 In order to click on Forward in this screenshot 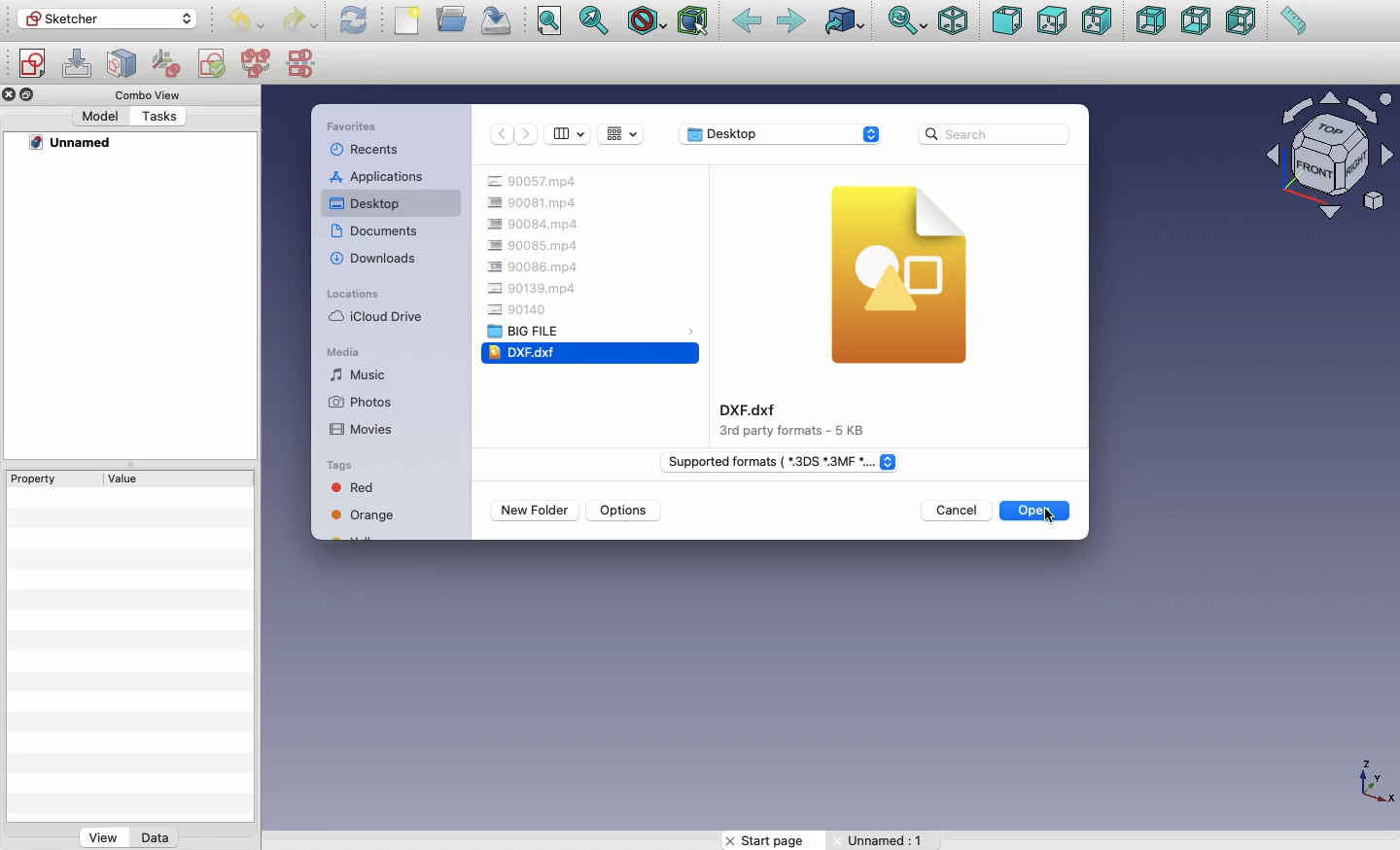, I will do `click(525, 134)`.